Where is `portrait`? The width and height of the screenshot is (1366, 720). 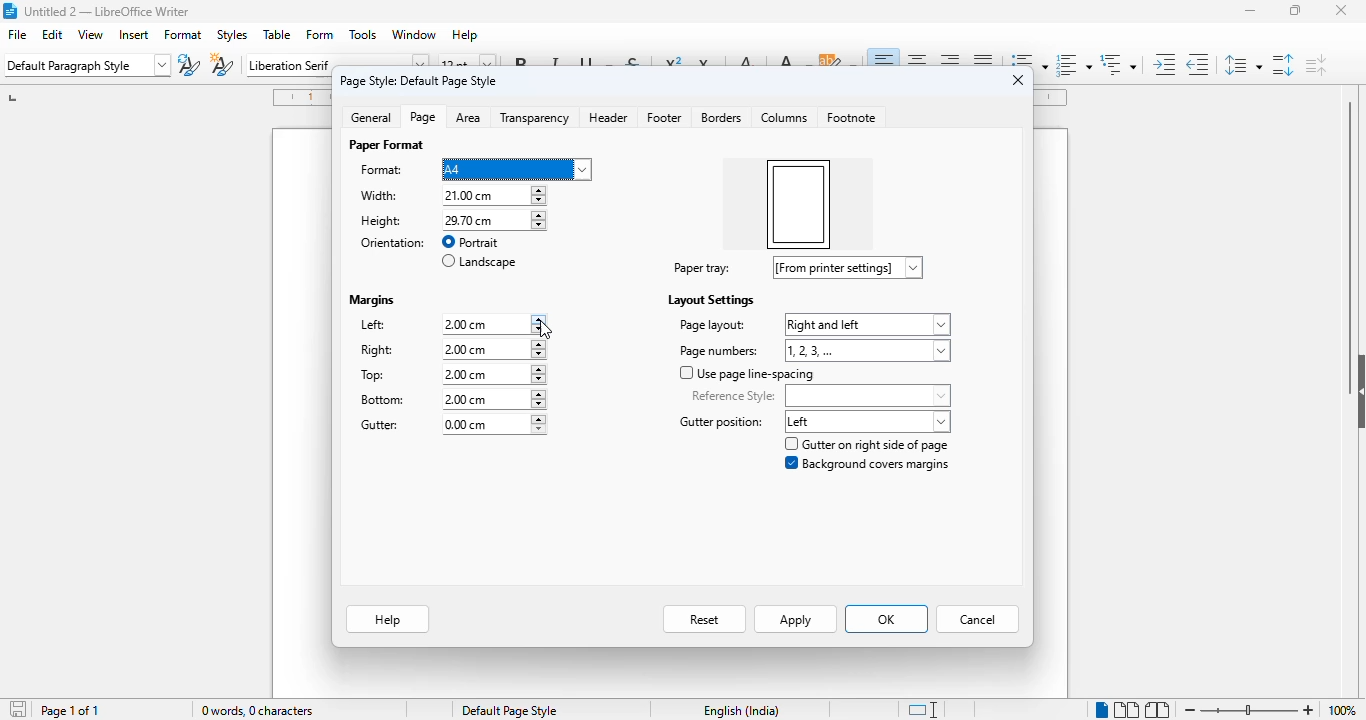
portrait is located at coordinates (470, 242).